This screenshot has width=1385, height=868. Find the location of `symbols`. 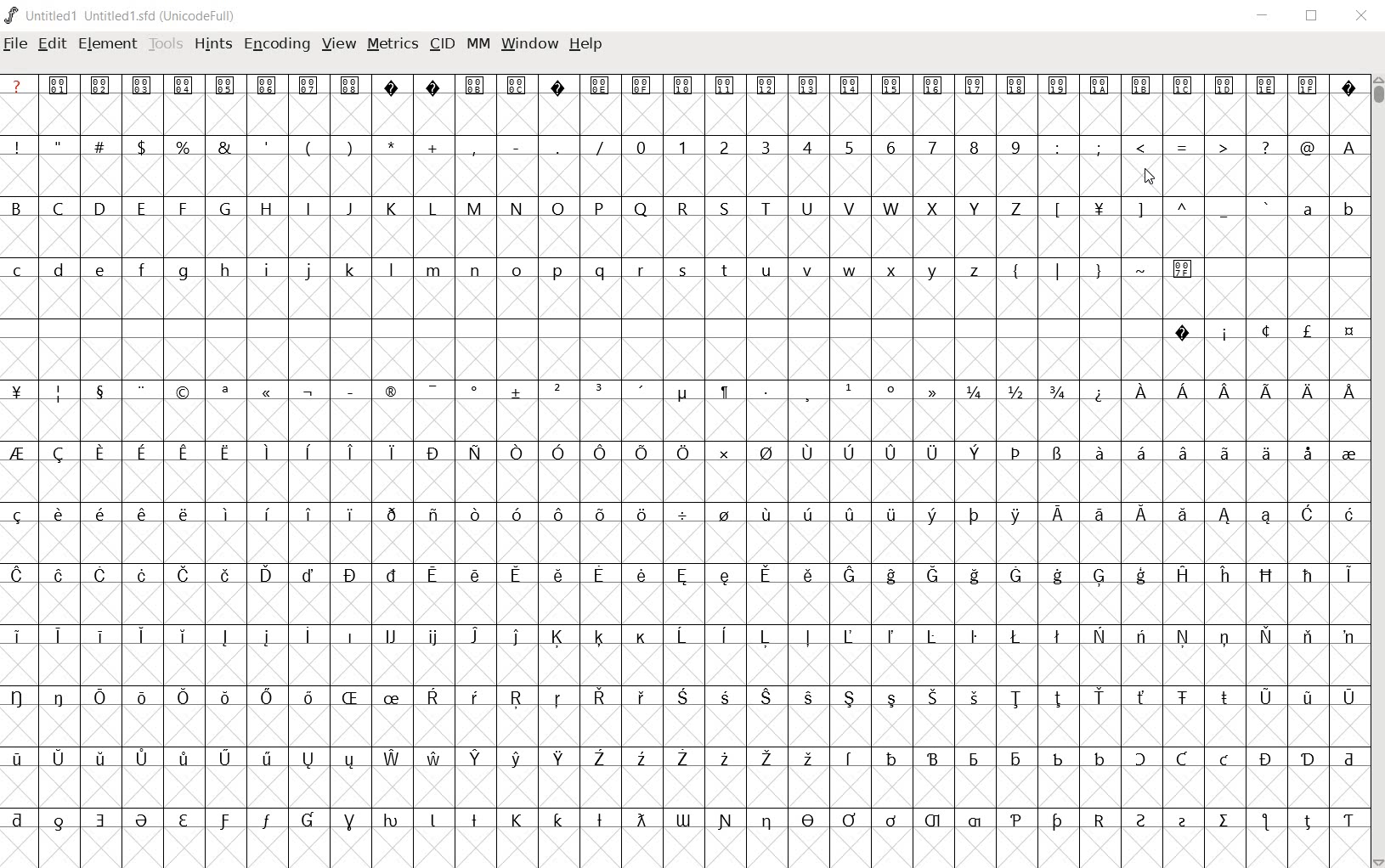

symbols is located at coordinates (1101, 268).